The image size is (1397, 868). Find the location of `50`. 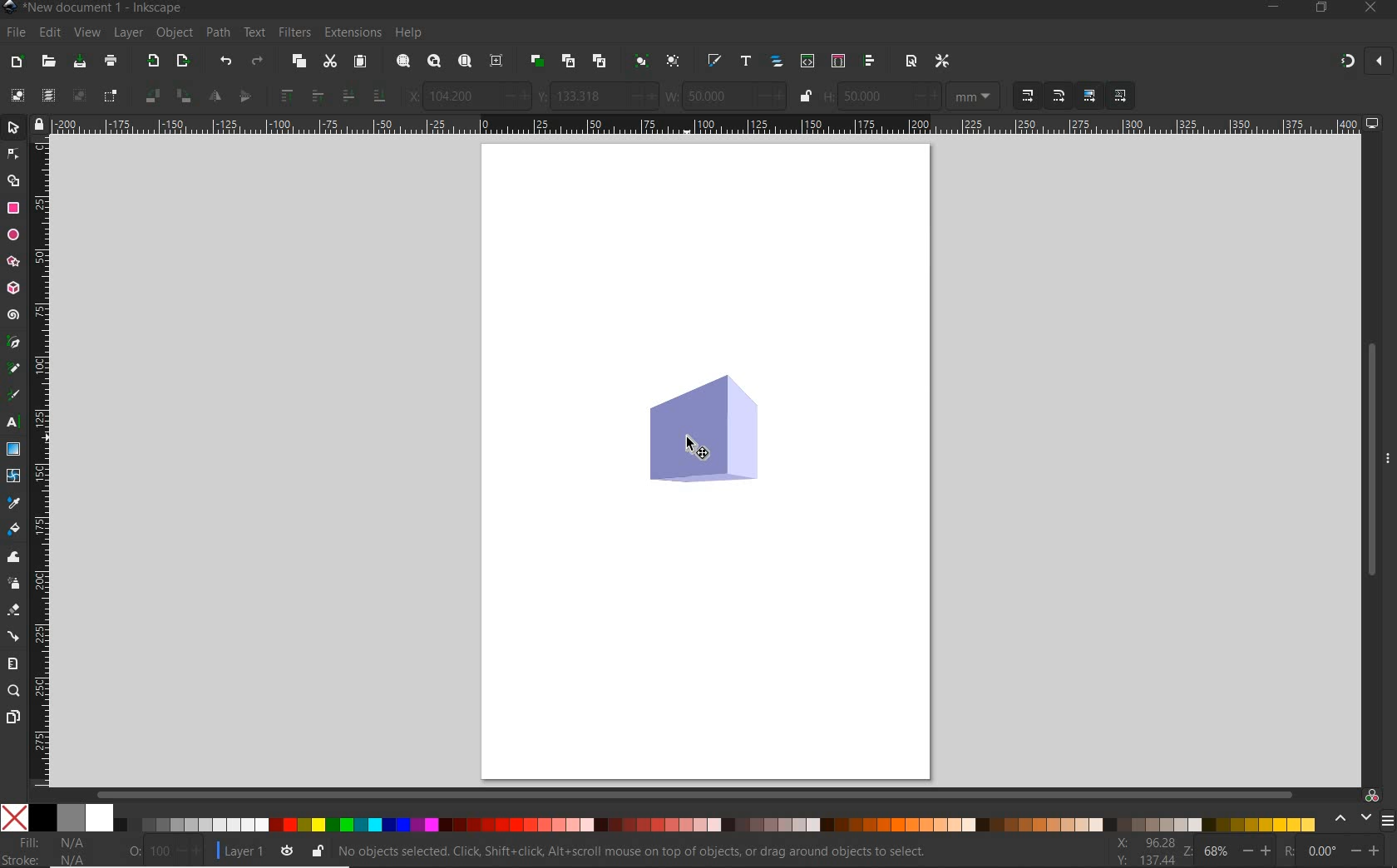

50 is located at coordinates (716, 96).